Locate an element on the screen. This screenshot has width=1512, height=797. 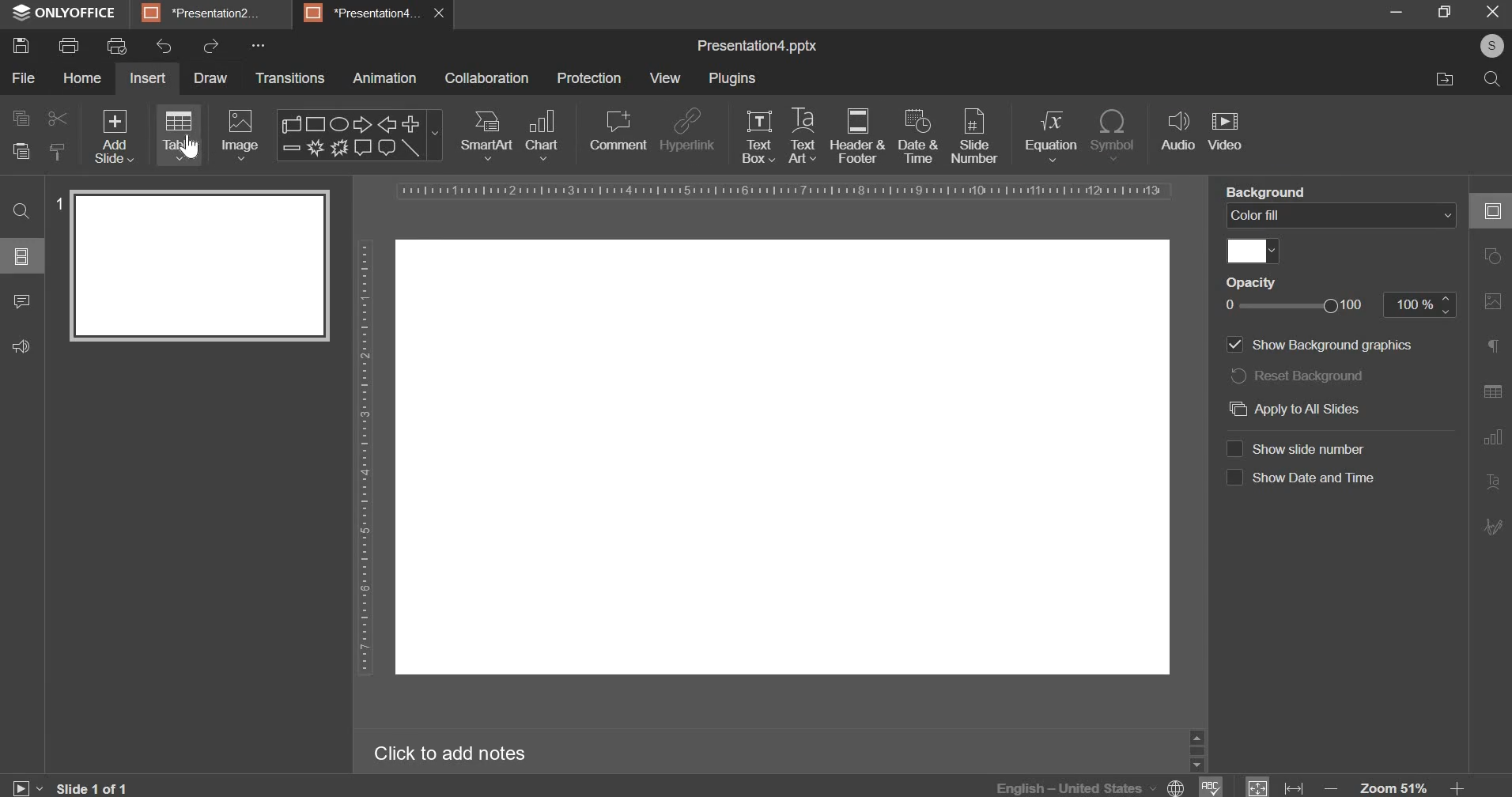
chart is located at coordinates (542, 134).